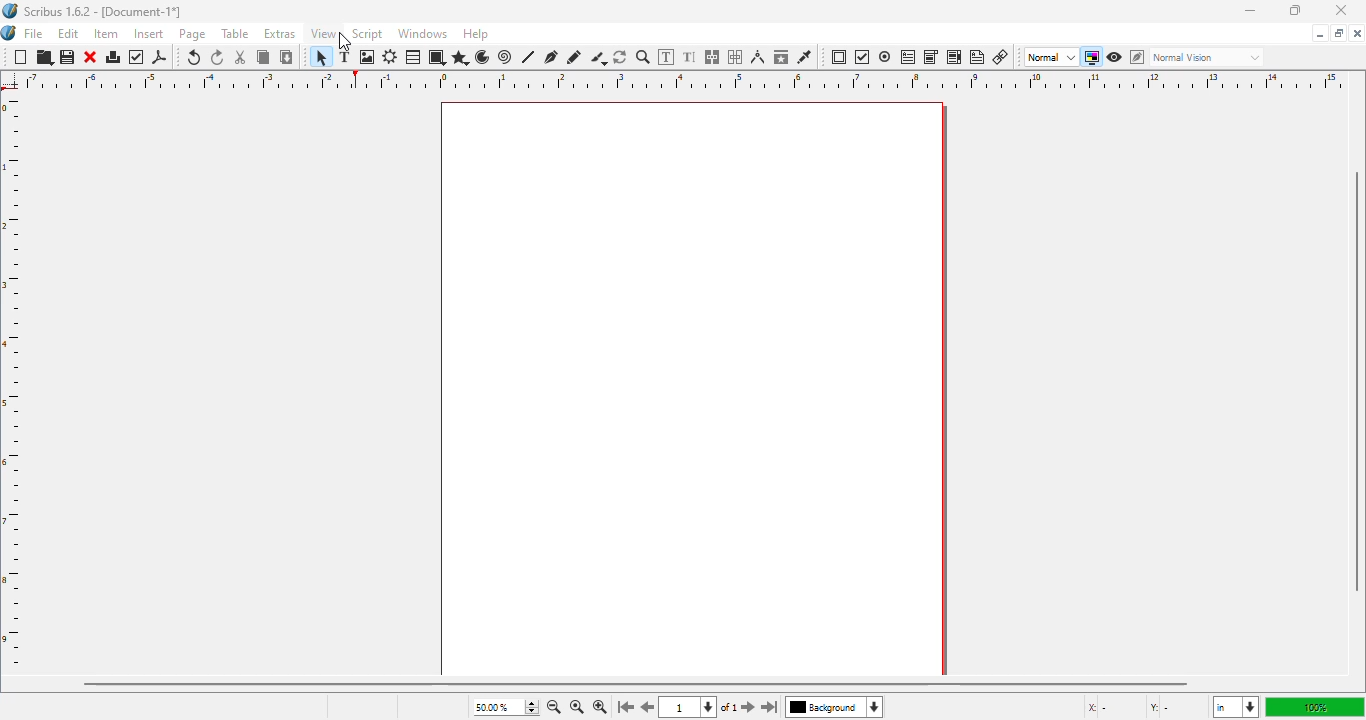 The height and width of the screenshot is (720, 1366). I want to click on cursor, so click(345, 41).